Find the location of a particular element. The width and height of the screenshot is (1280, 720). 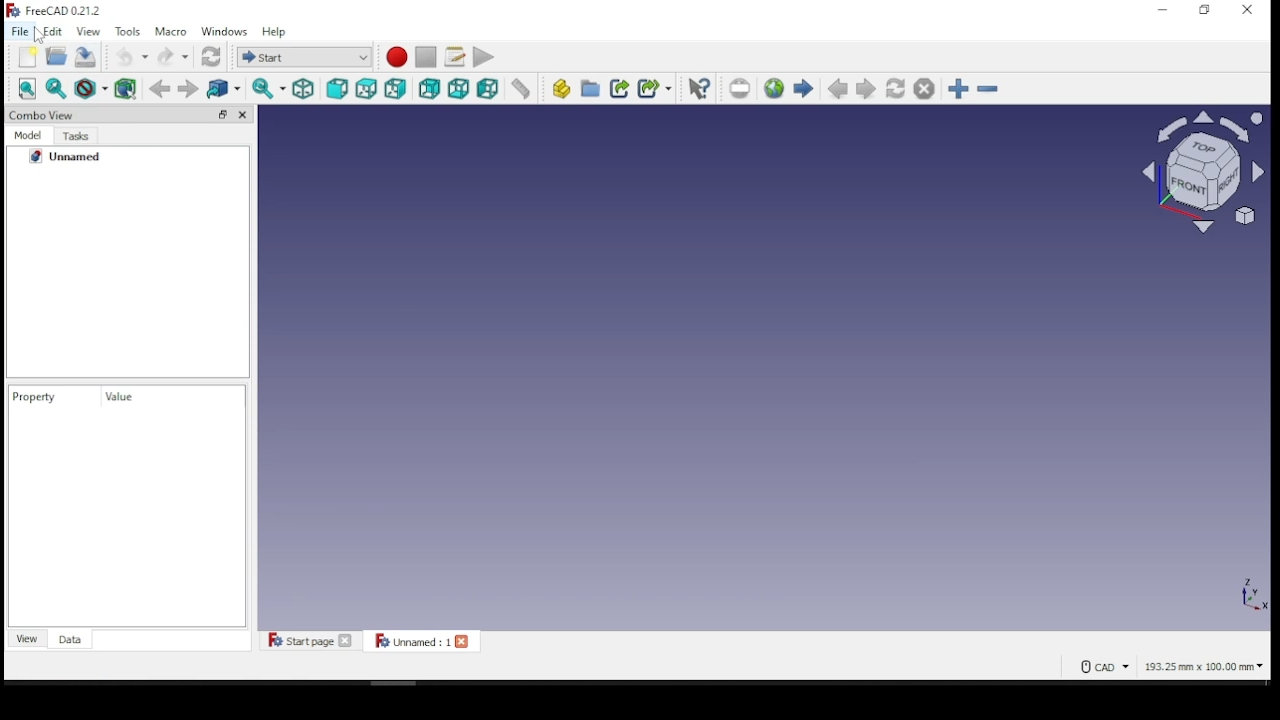

isometric is located at coordinates (304, 88).